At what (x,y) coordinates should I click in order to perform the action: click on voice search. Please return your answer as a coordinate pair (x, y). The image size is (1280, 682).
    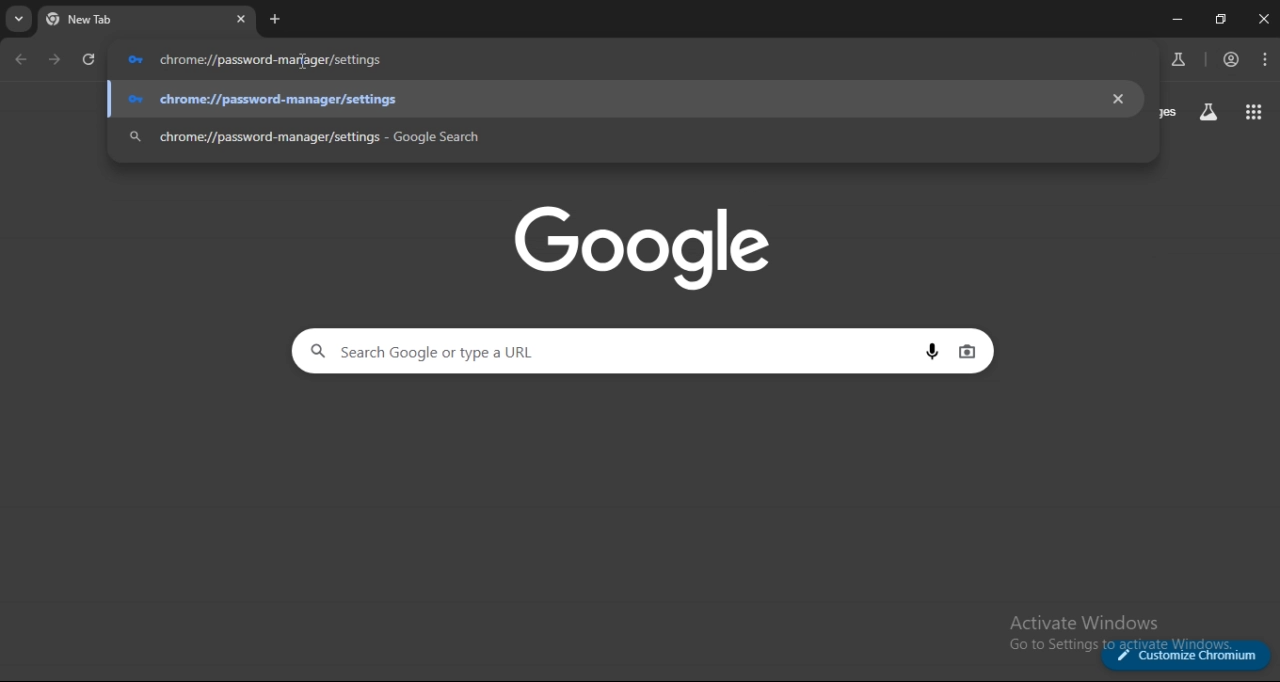
    Looking at the image, I should click on (936, 353).